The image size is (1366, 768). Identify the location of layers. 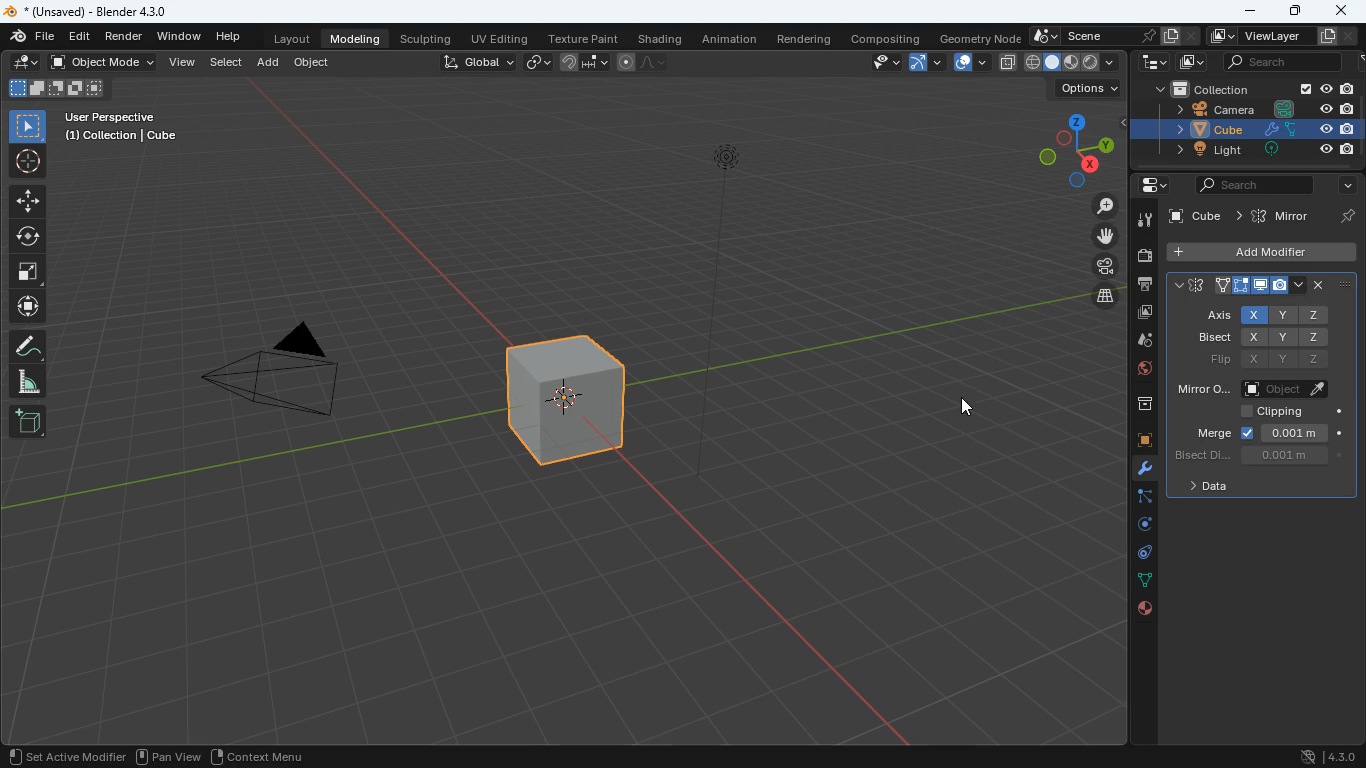
(1106, 295).